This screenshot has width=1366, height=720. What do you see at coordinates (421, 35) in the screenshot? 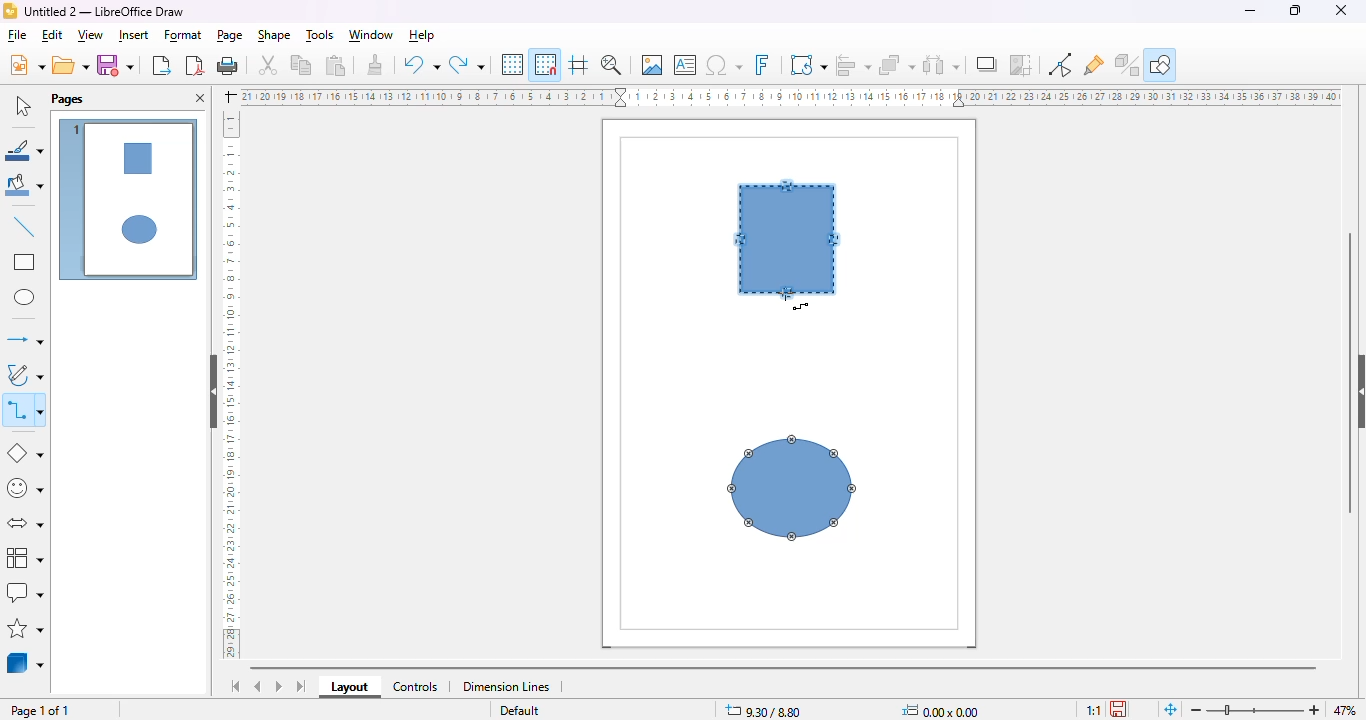
I see `help` at bounding box center [421, 35].